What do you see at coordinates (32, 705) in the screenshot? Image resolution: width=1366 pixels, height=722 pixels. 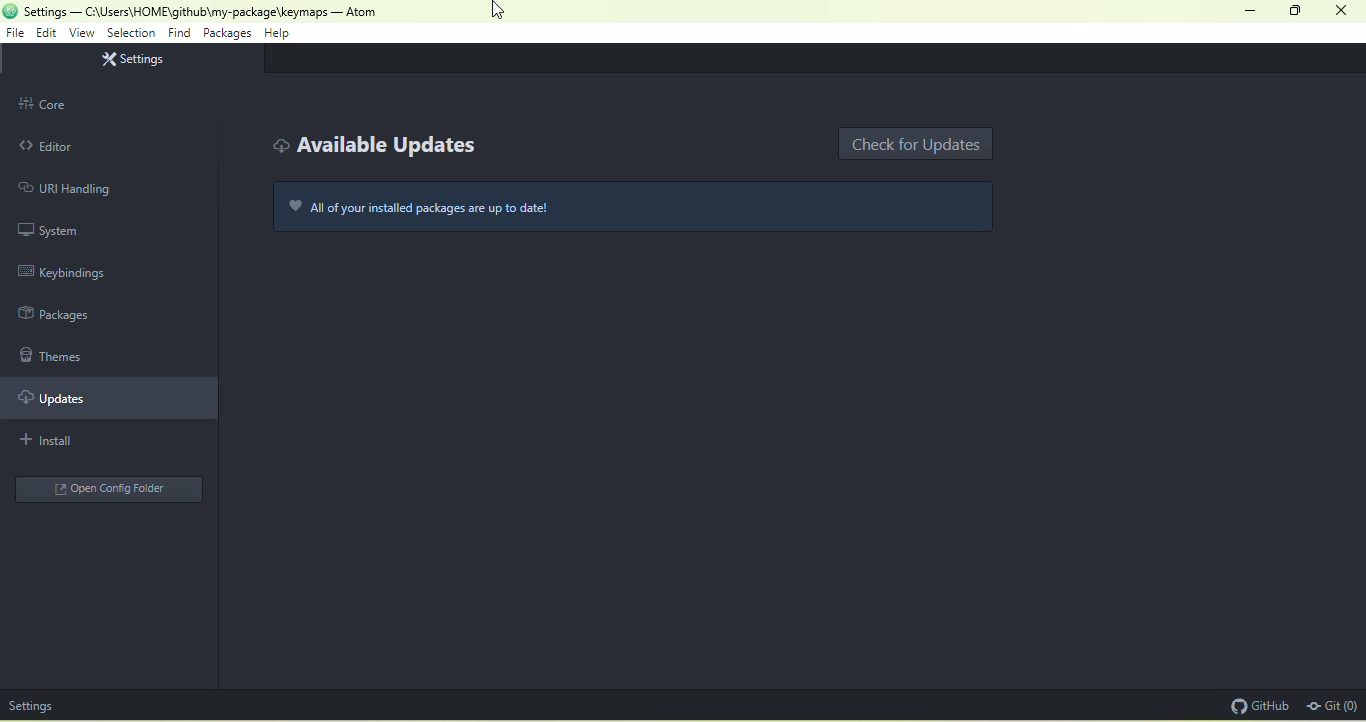 I see `settings` at bounding box center [32, 705].